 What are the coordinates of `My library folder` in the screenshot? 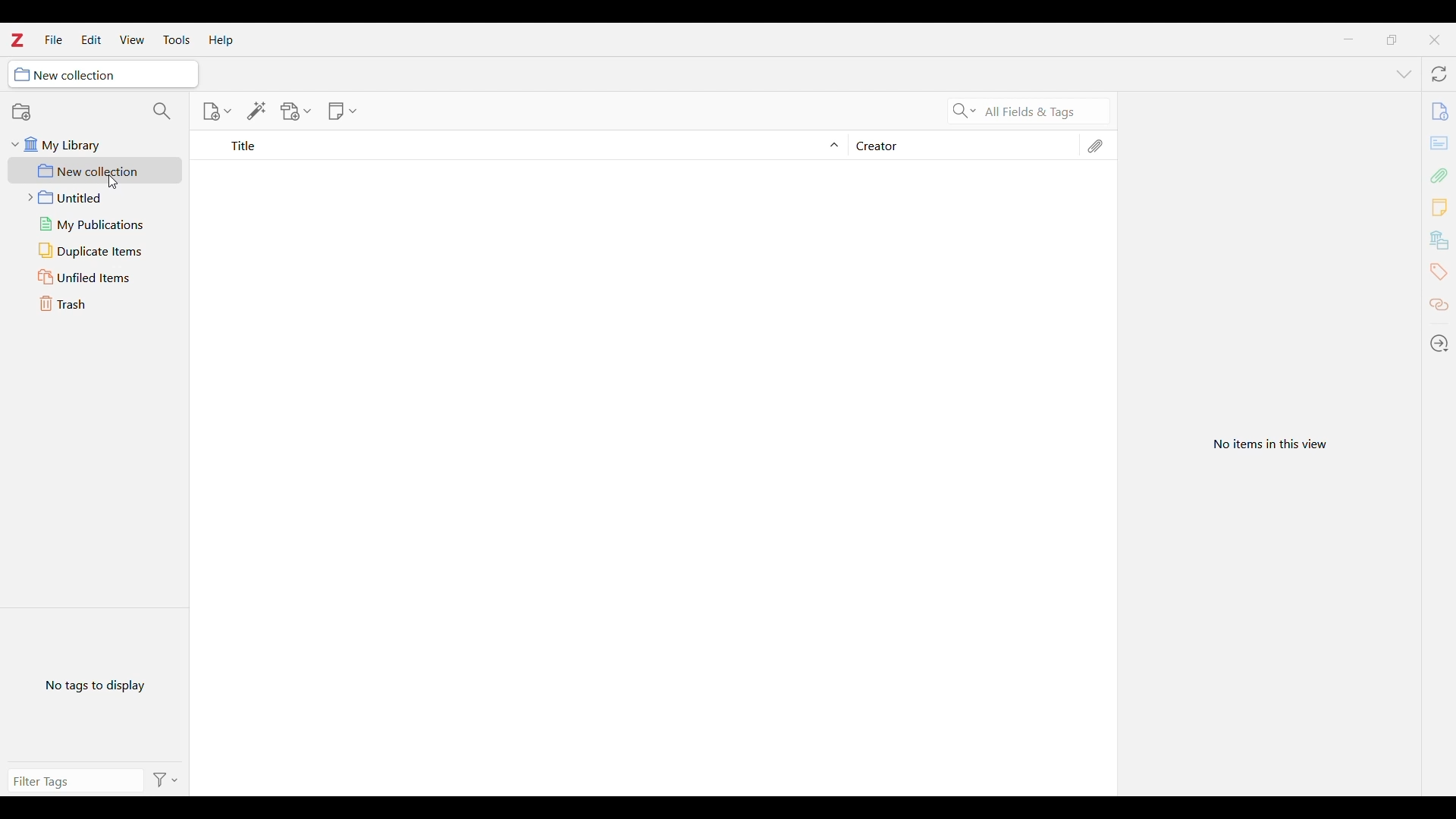 It's located at (96, 145).